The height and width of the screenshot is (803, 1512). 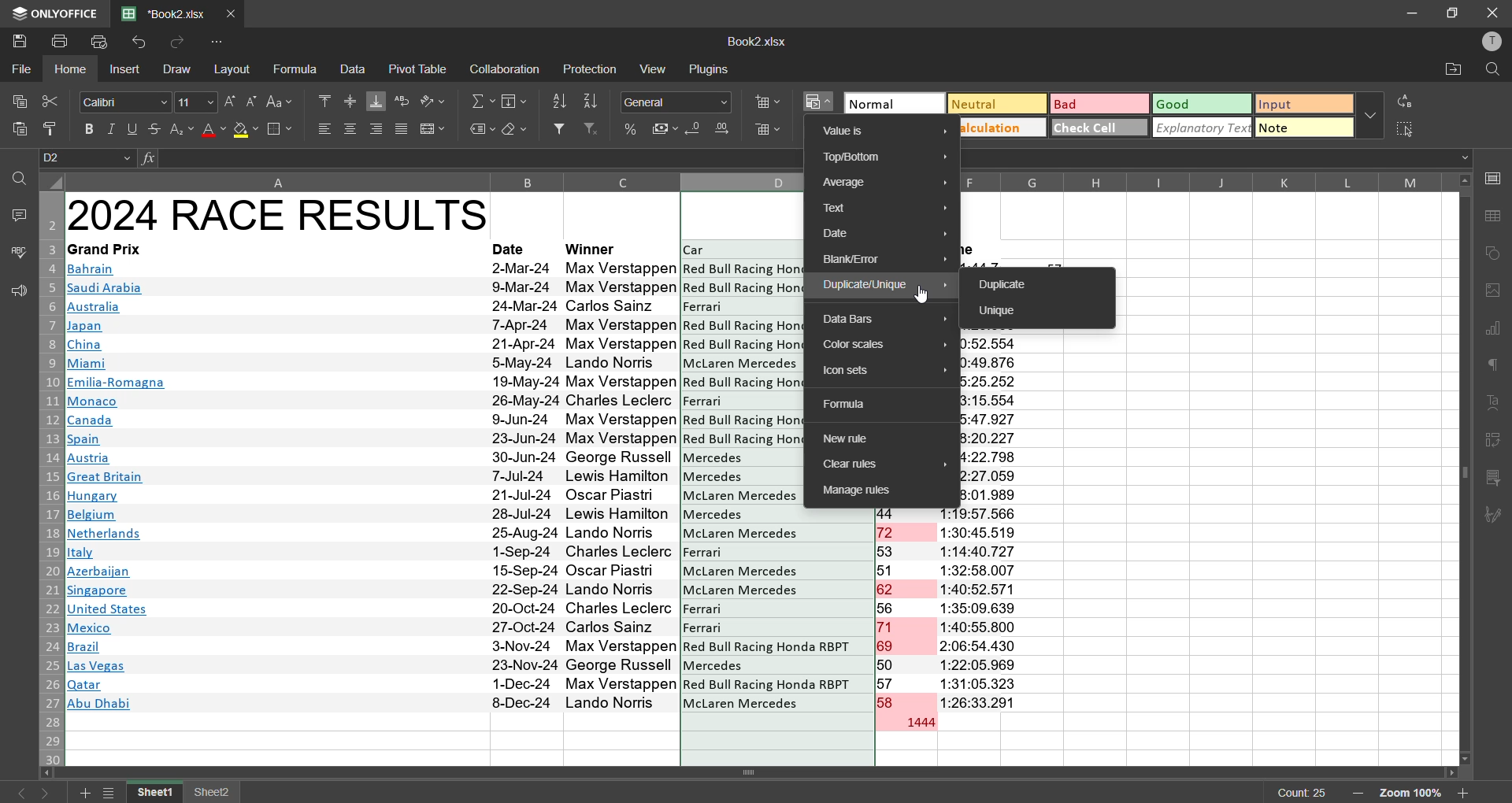 What do you see at coordinates (592, 102) in the screenshot?
I see `sort descending` at bounding box center [592, 102].